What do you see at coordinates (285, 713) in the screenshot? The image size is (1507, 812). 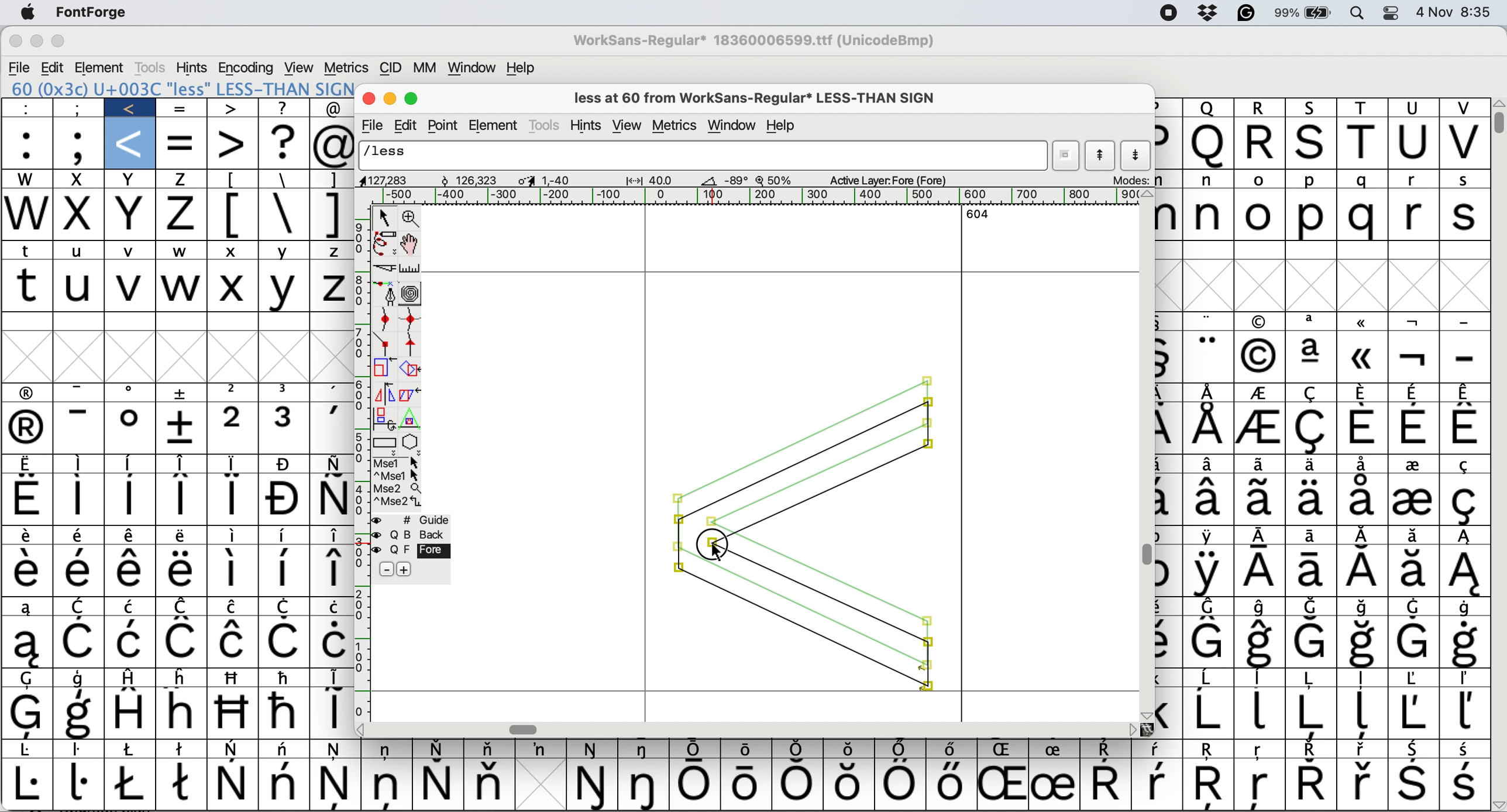 I see `Symbol` at bounding box center [285, 713].